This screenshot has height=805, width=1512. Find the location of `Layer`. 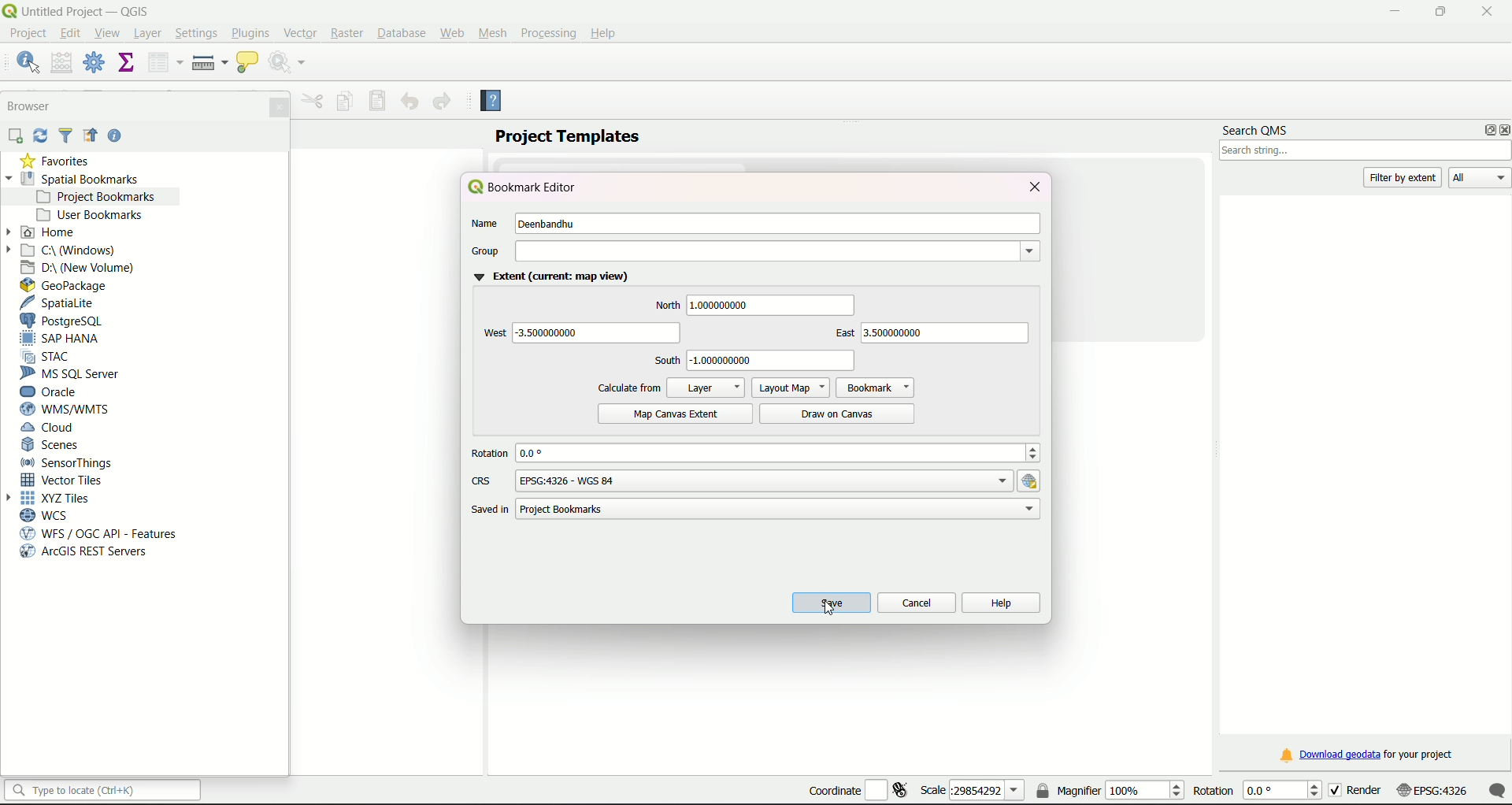

Layer is located at coordinates (148, 35).